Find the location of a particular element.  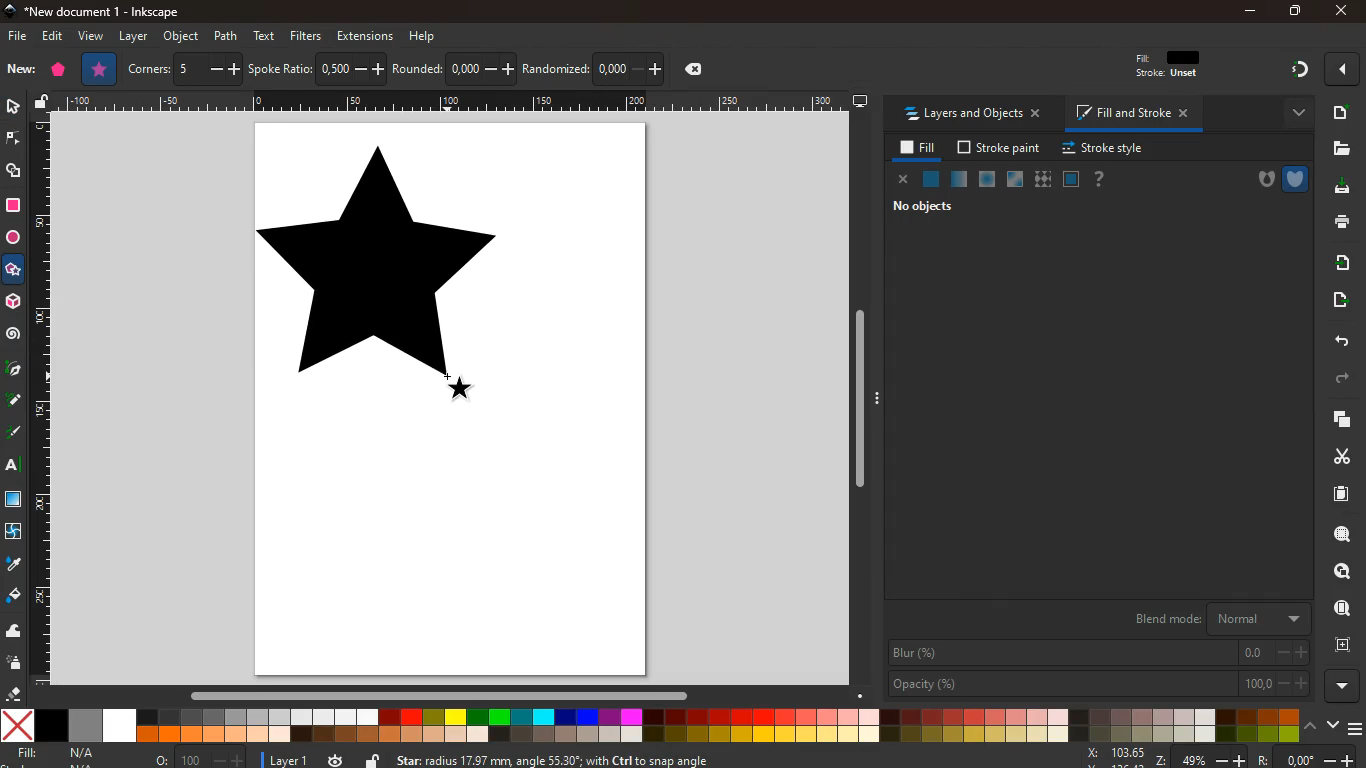

new is located at coordinates (20, 69).